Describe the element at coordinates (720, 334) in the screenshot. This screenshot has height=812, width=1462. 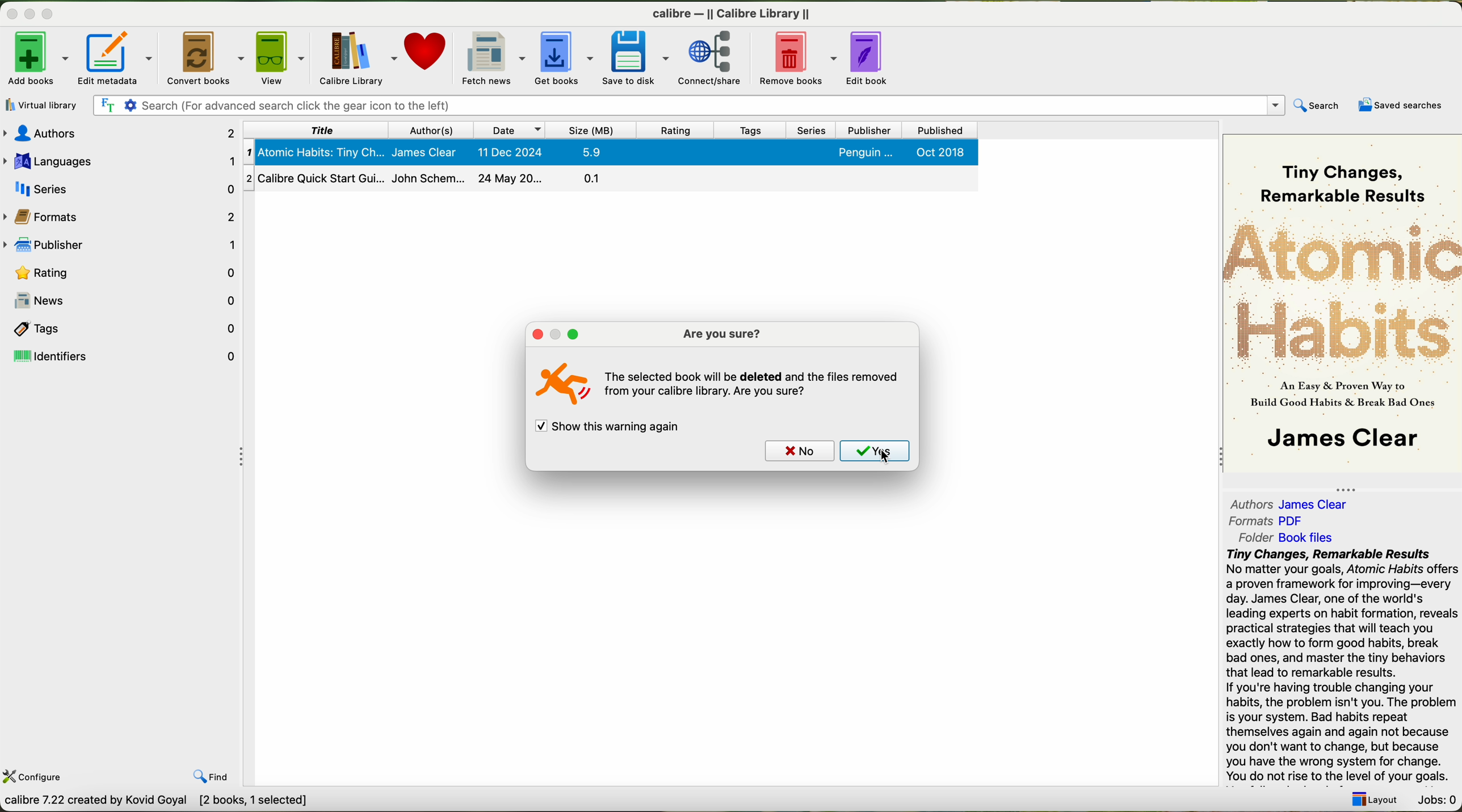
I see `are you sure?` at that location.